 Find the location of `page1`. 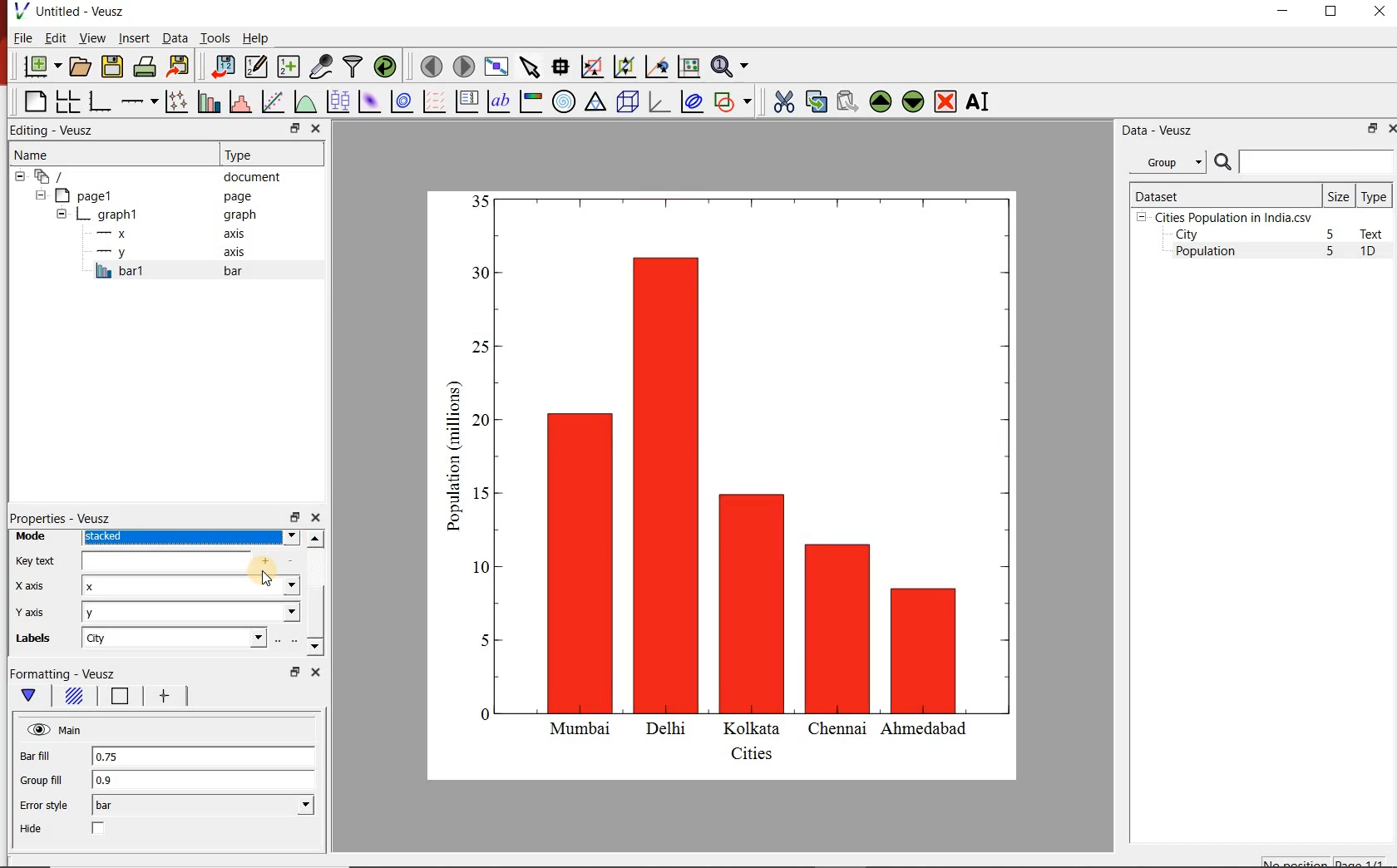

page1 is located at coordinates (149, 195).